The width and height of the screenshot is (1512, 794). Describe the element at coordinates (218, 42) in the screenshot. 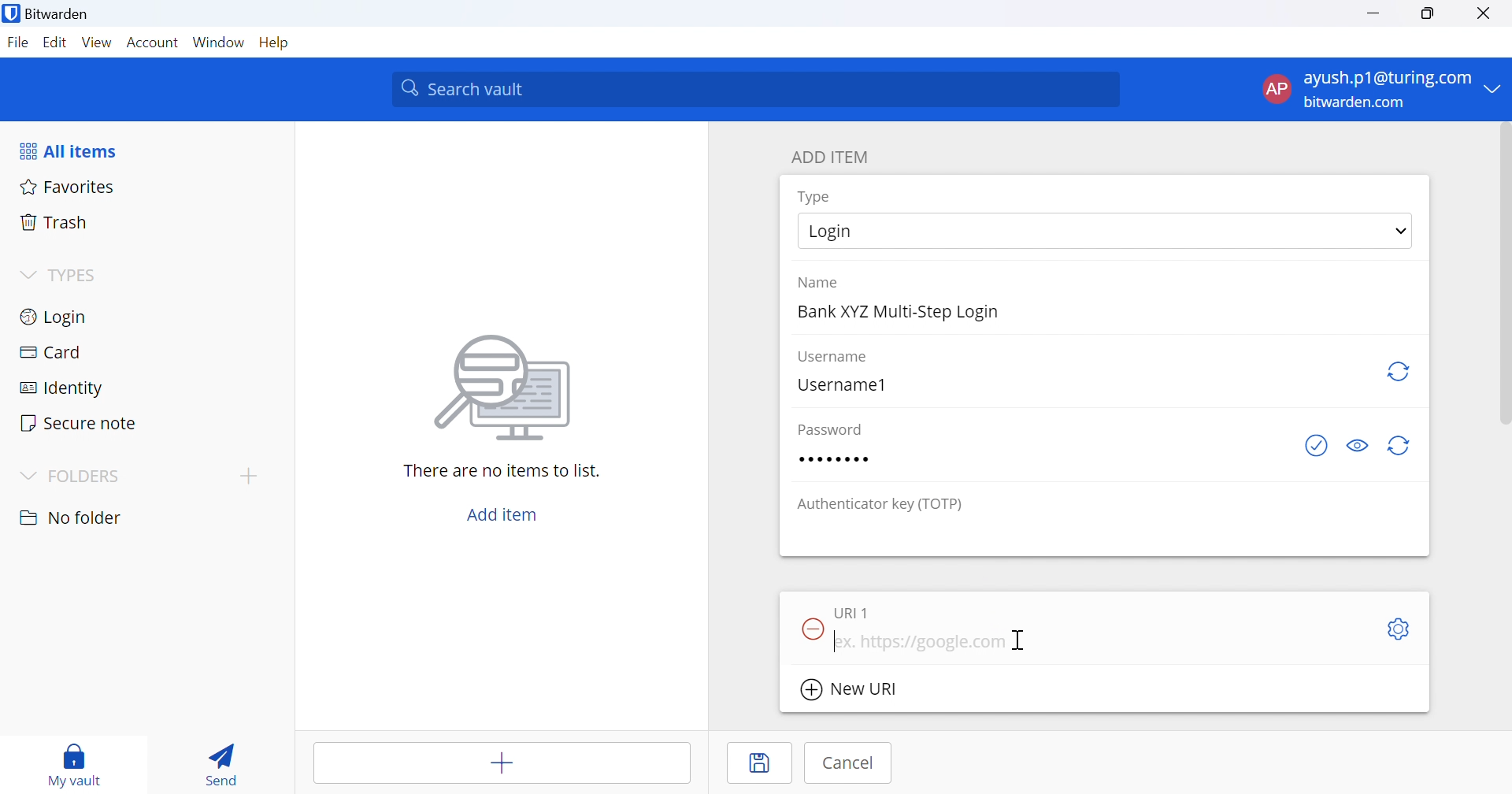

I see `Window` at that location.